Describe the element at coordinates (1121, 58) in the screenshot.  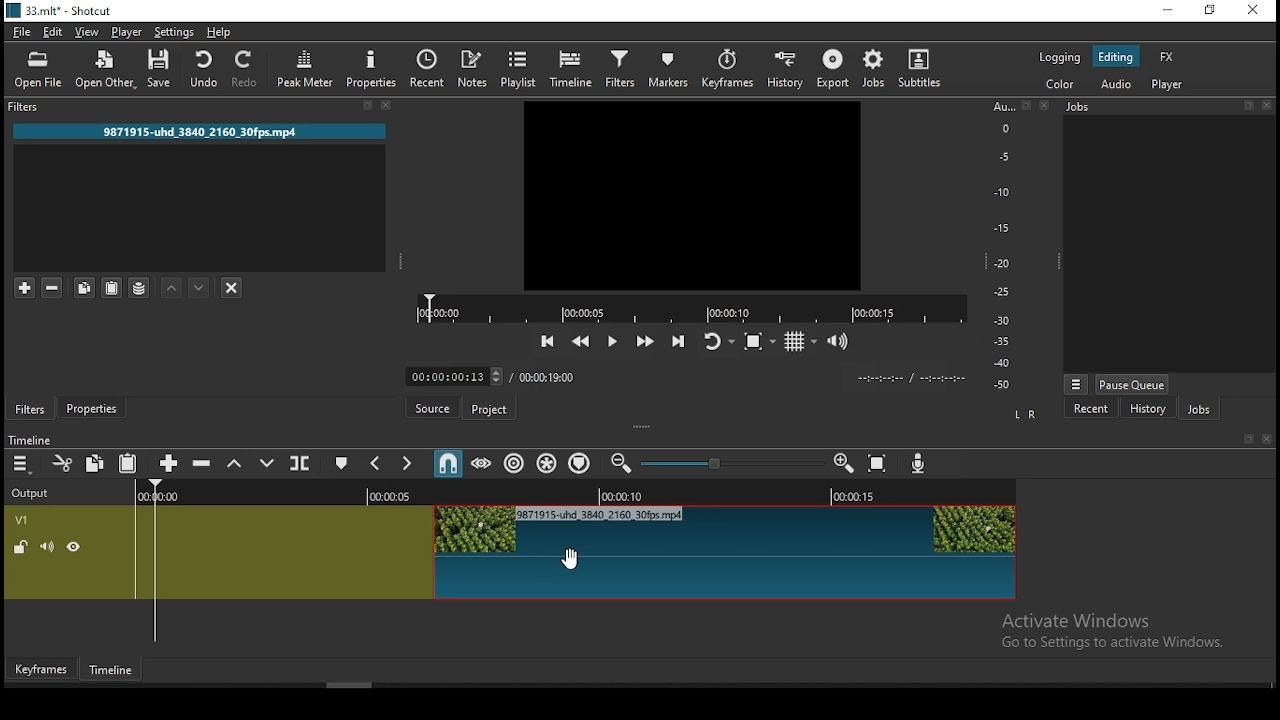
I see `editing` at that location.